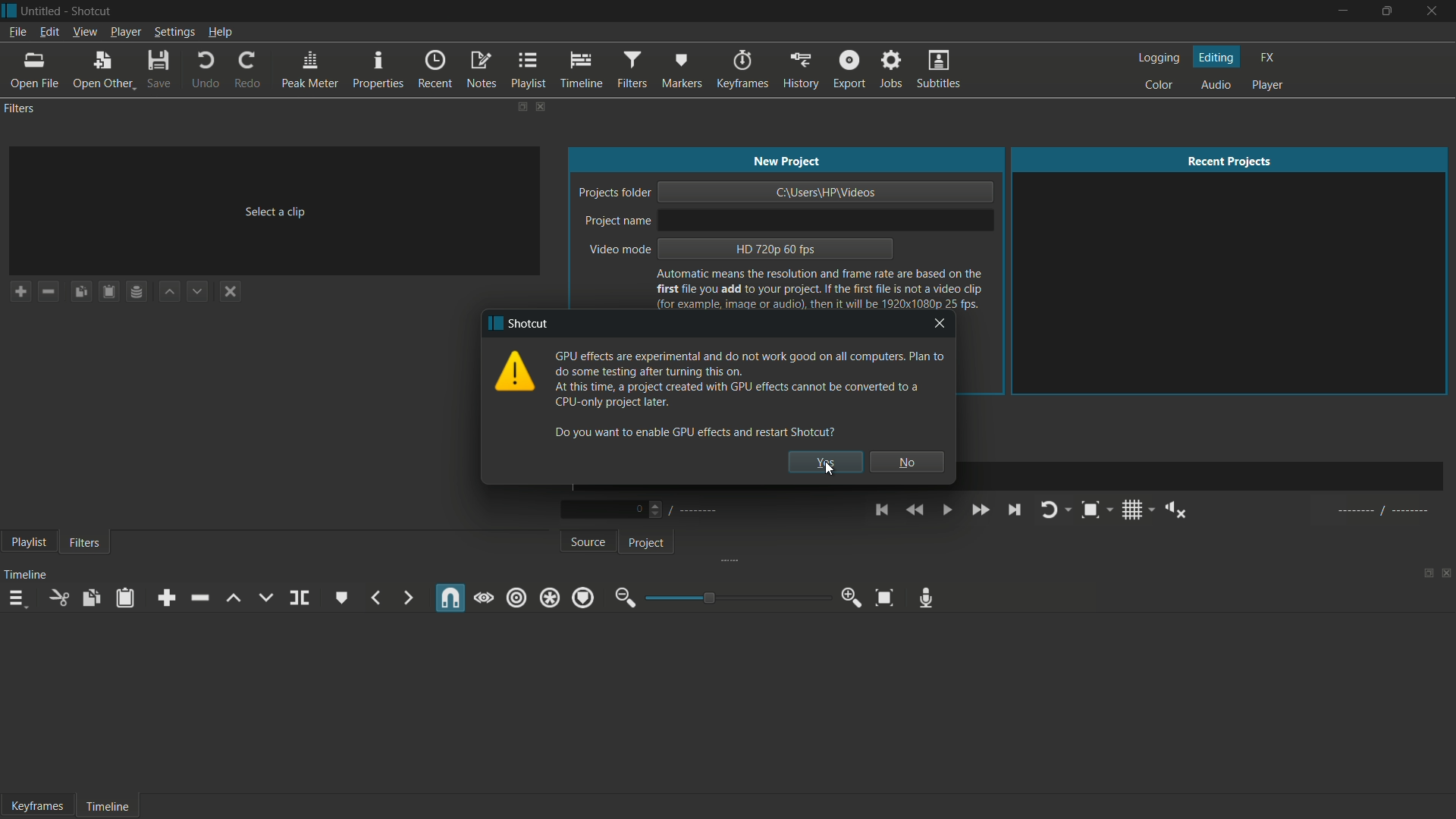 The height and width of the screenshot is (819, 1456). Describe the element at coordinates (9, 9) in the screenshot. I see `app icon` at that location.